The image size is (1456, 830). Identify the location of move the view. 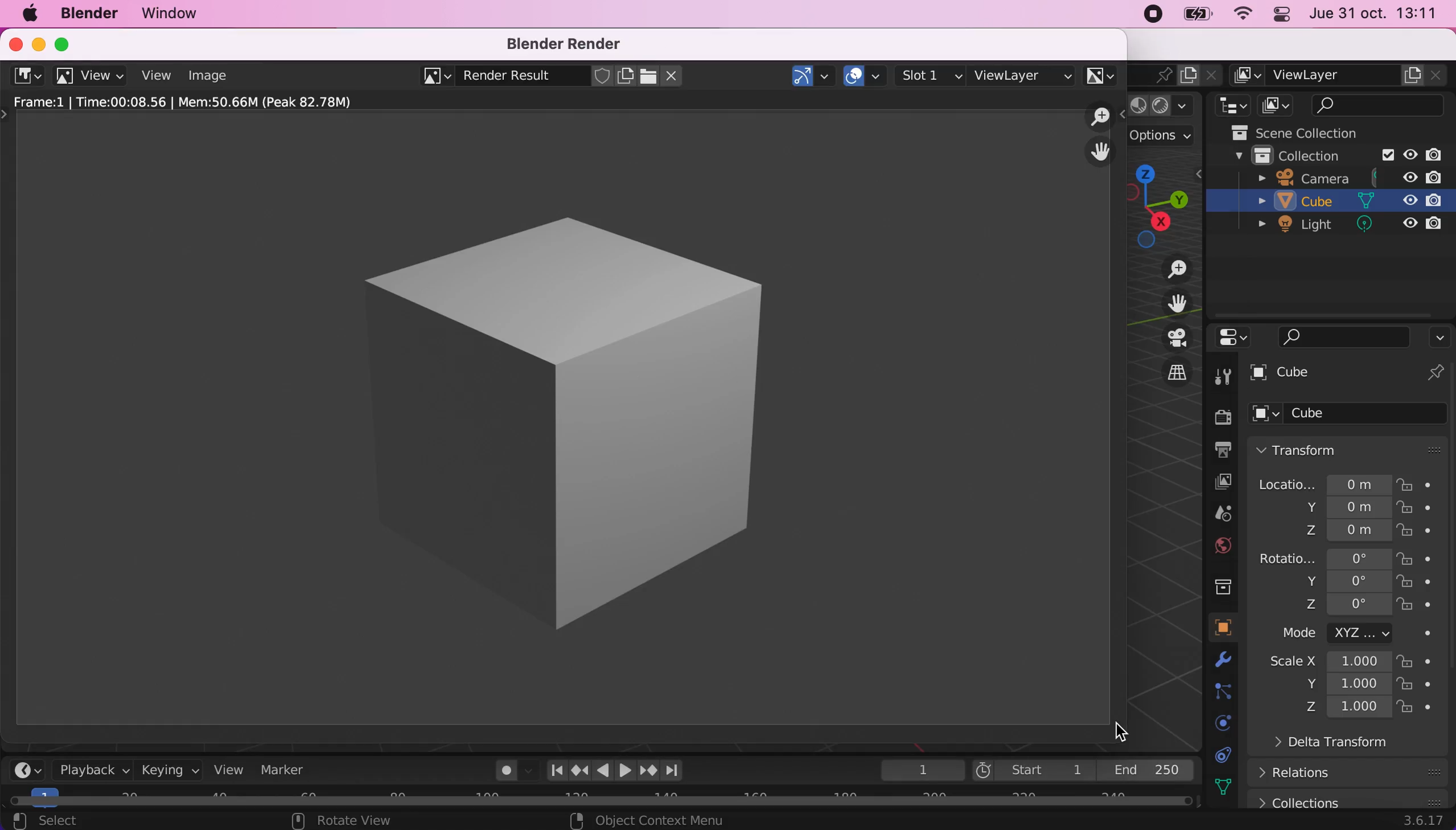
(1168, 303).